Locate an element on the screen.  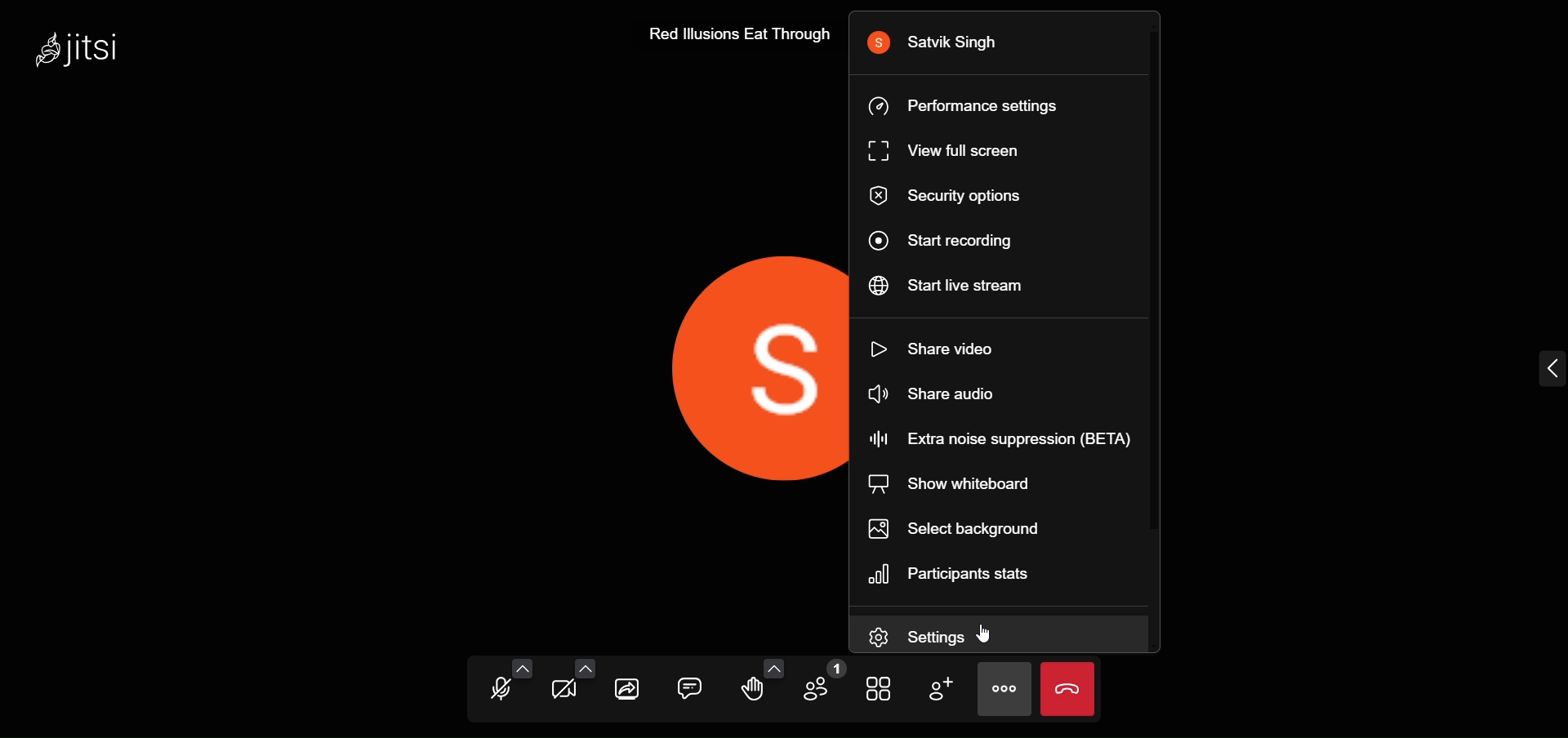
participant stat is located at coordinates (956, 574).